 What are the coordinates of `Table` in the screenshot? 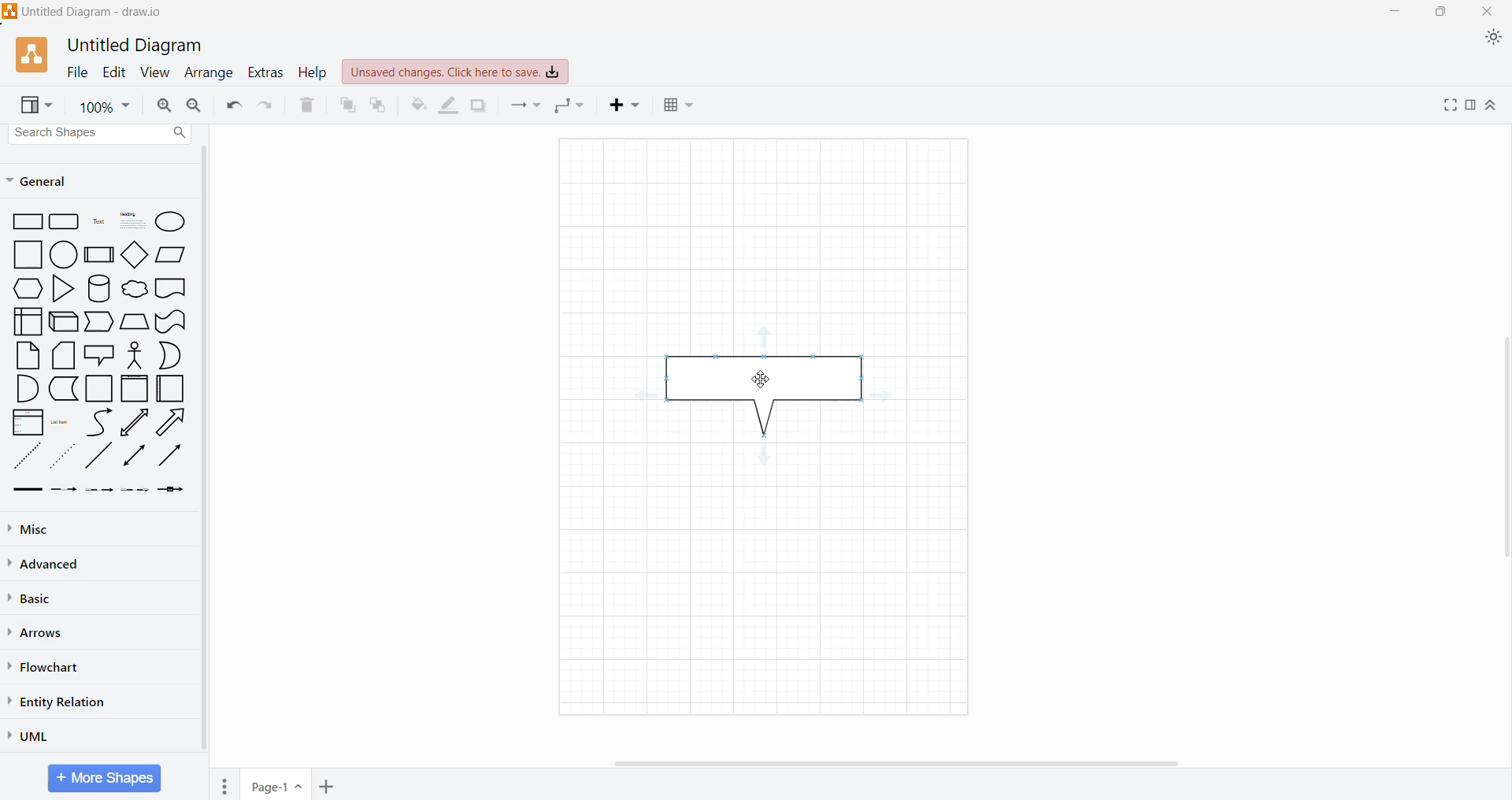 It's located at (681, 107).